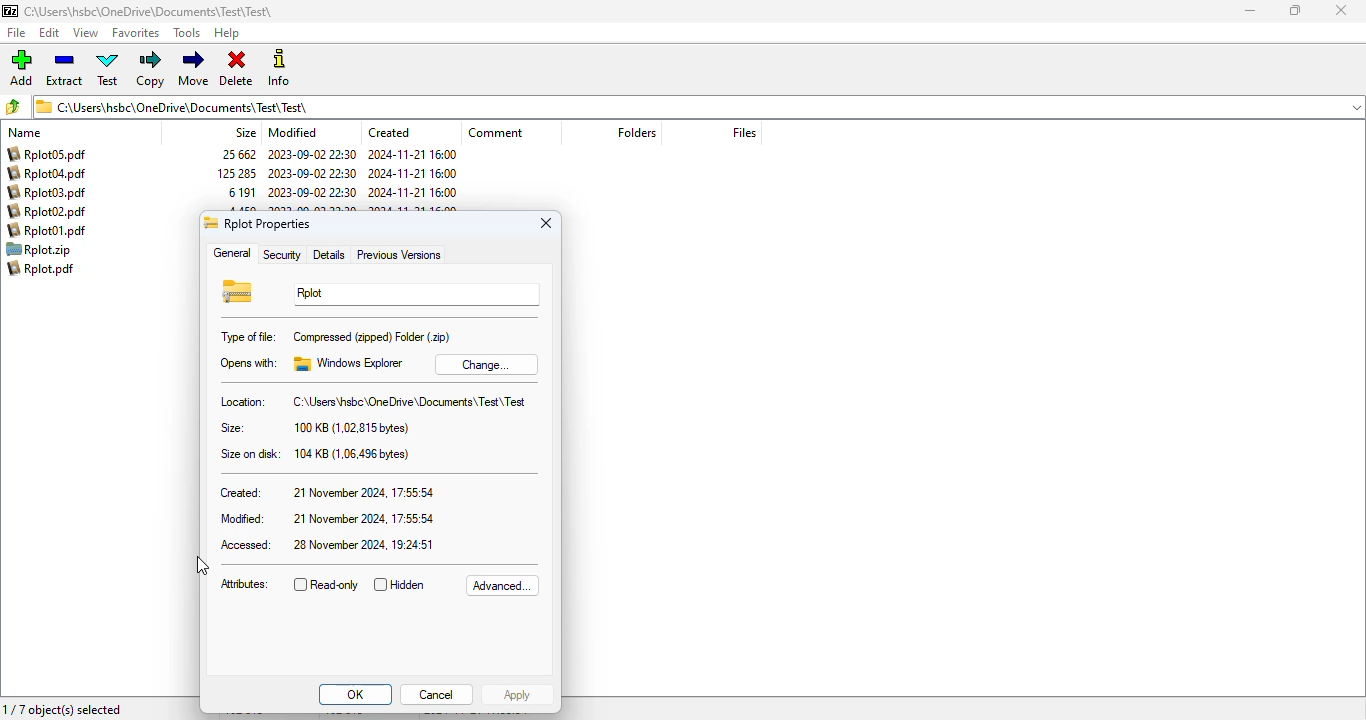 This screenshot has width=1366, height=720. What do you see at coordinates (356, 694) in the screenshot?
I see `OK` at bounding box center [356, 694].